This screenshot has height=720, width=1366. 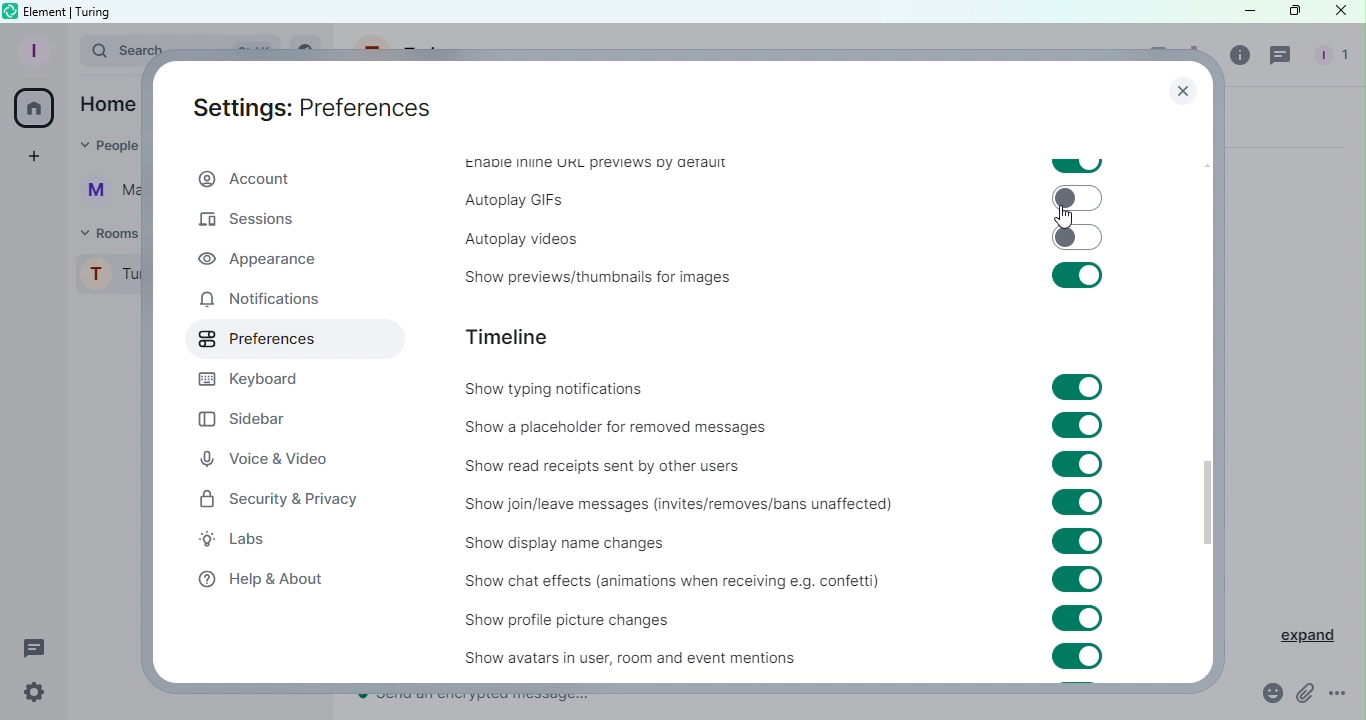 What do you see at coordinates (106, 232) in the screenshot?
I see `Rooms` at bounding box center [106, 232].